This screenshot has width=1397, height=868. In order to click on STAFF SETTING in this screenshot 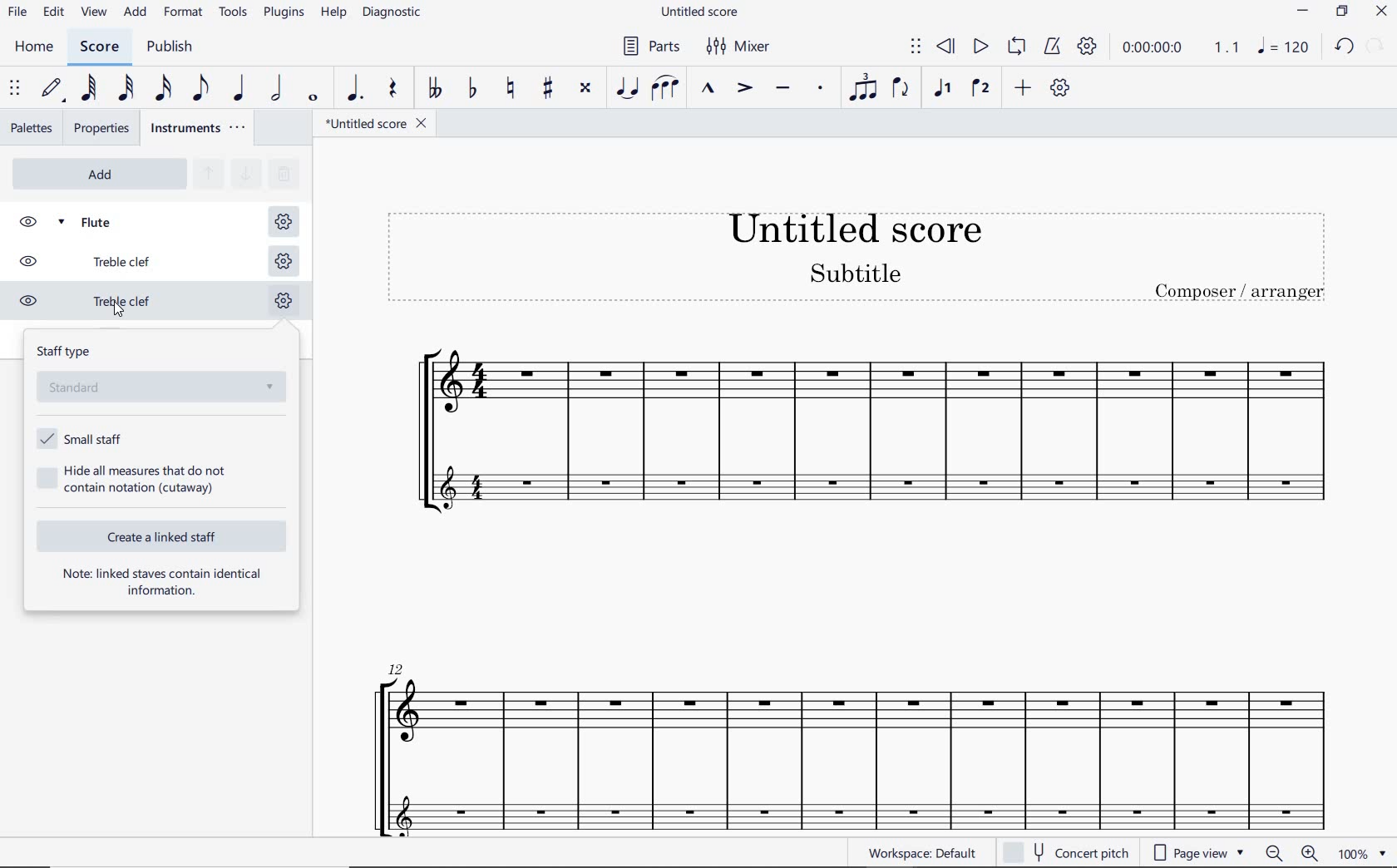, I will do `click(283, 259)`.